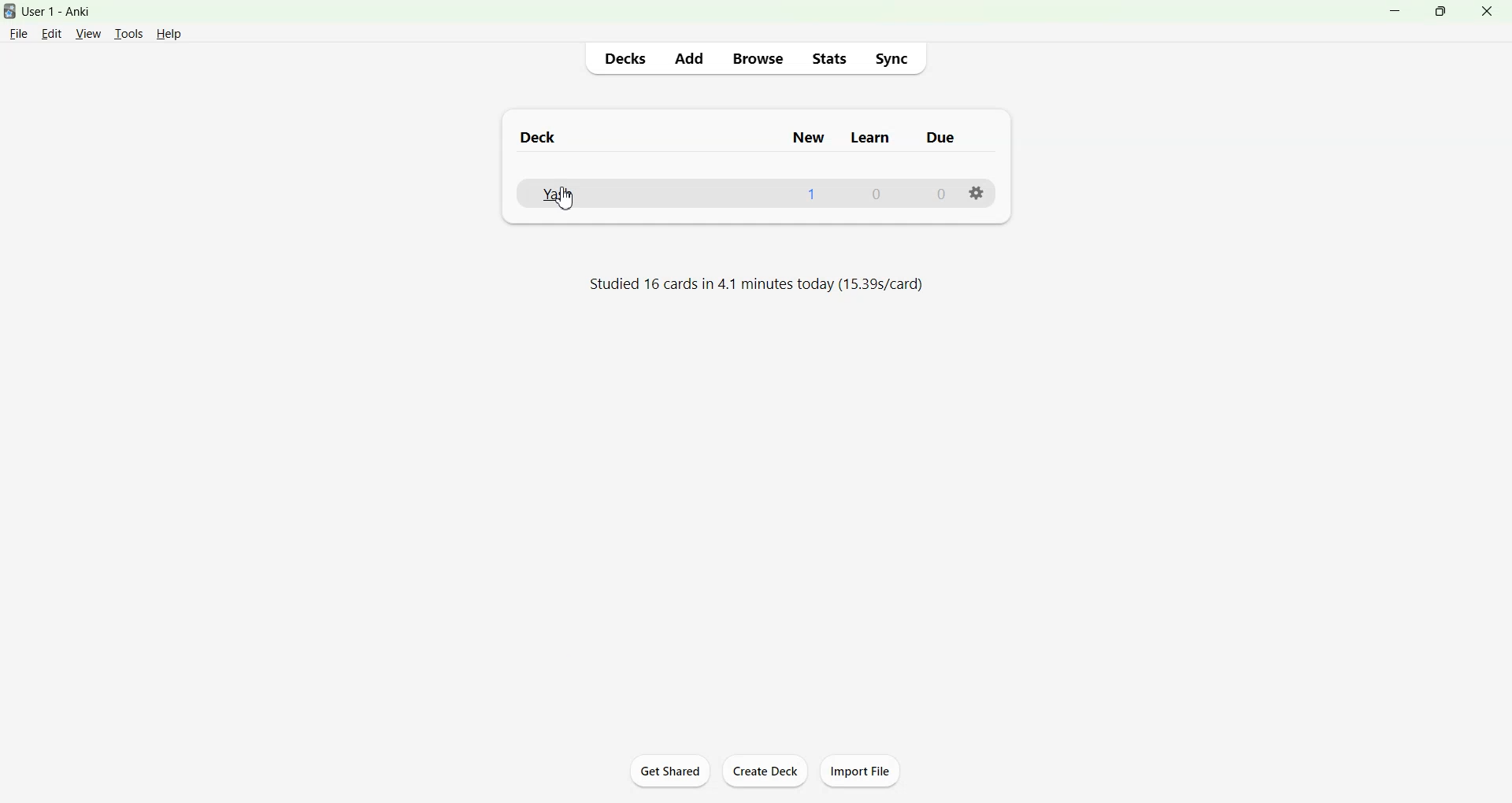  What do you see at coordinates (980, 194) in the screenshot?
I see `Settings` at bounding box center [980, 194].